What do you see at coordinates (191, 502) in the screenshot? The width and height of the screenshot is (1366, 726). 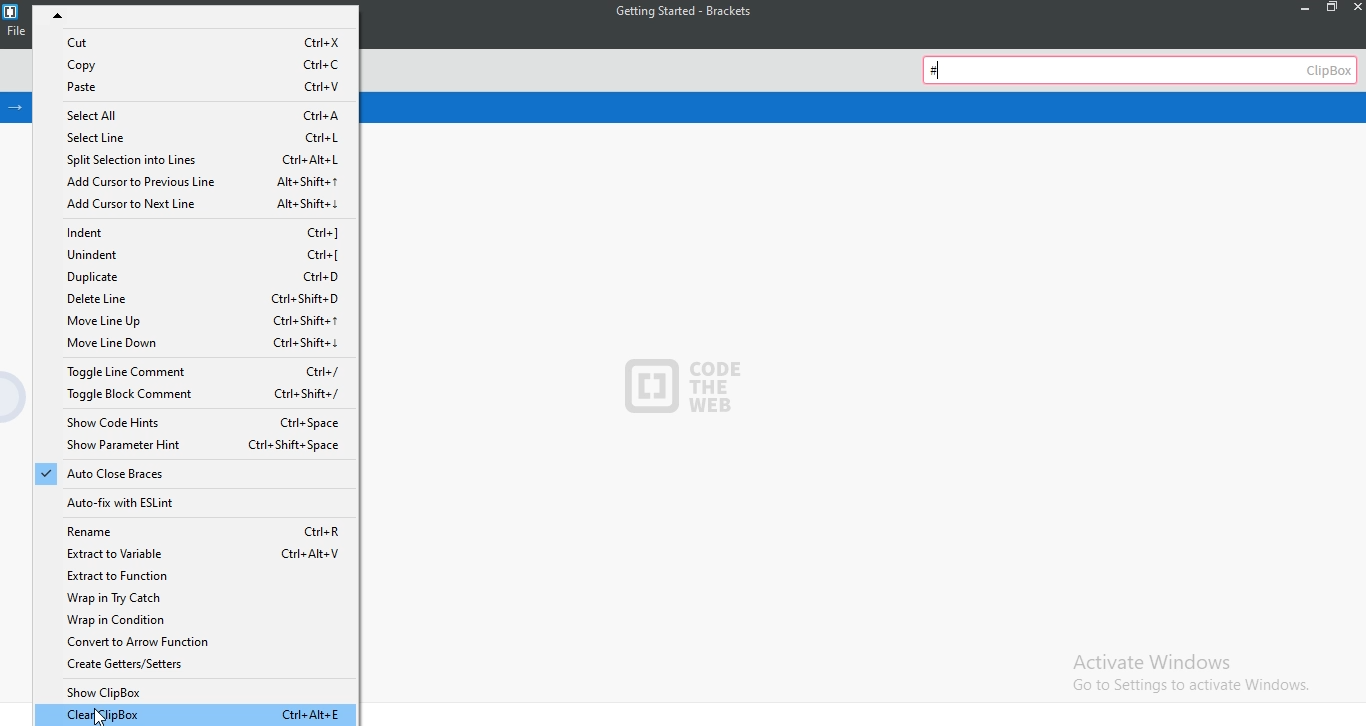 I see `Auto-fix with EsLint` at bounding box center [191, 502].